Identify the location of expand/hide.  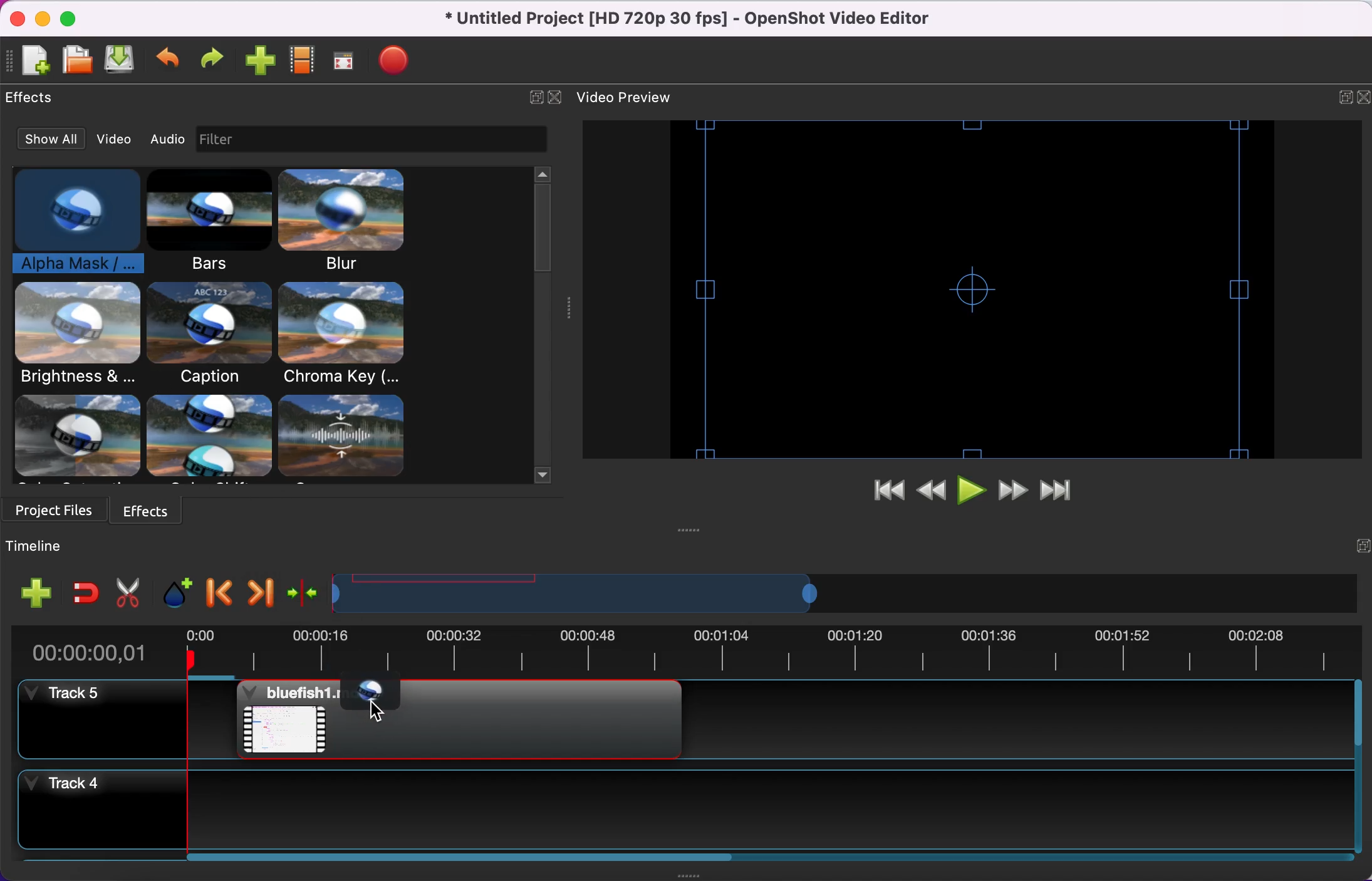
(1344, 100).